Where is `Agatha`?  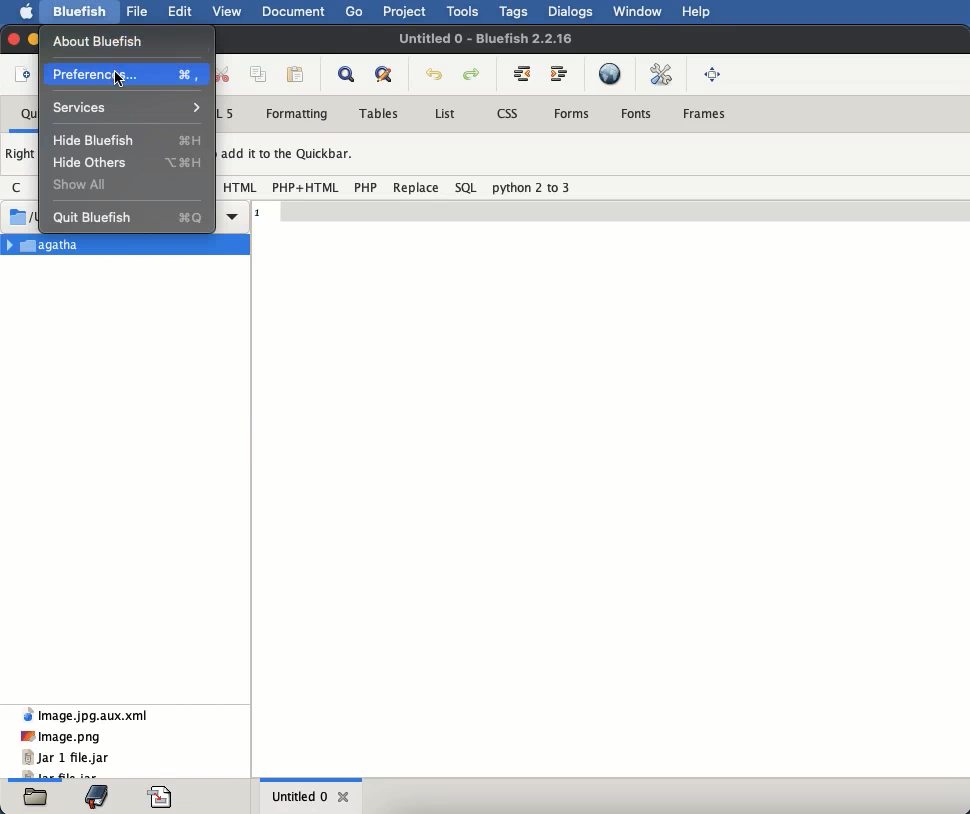 Agatha is located at coordinates (127, 244).